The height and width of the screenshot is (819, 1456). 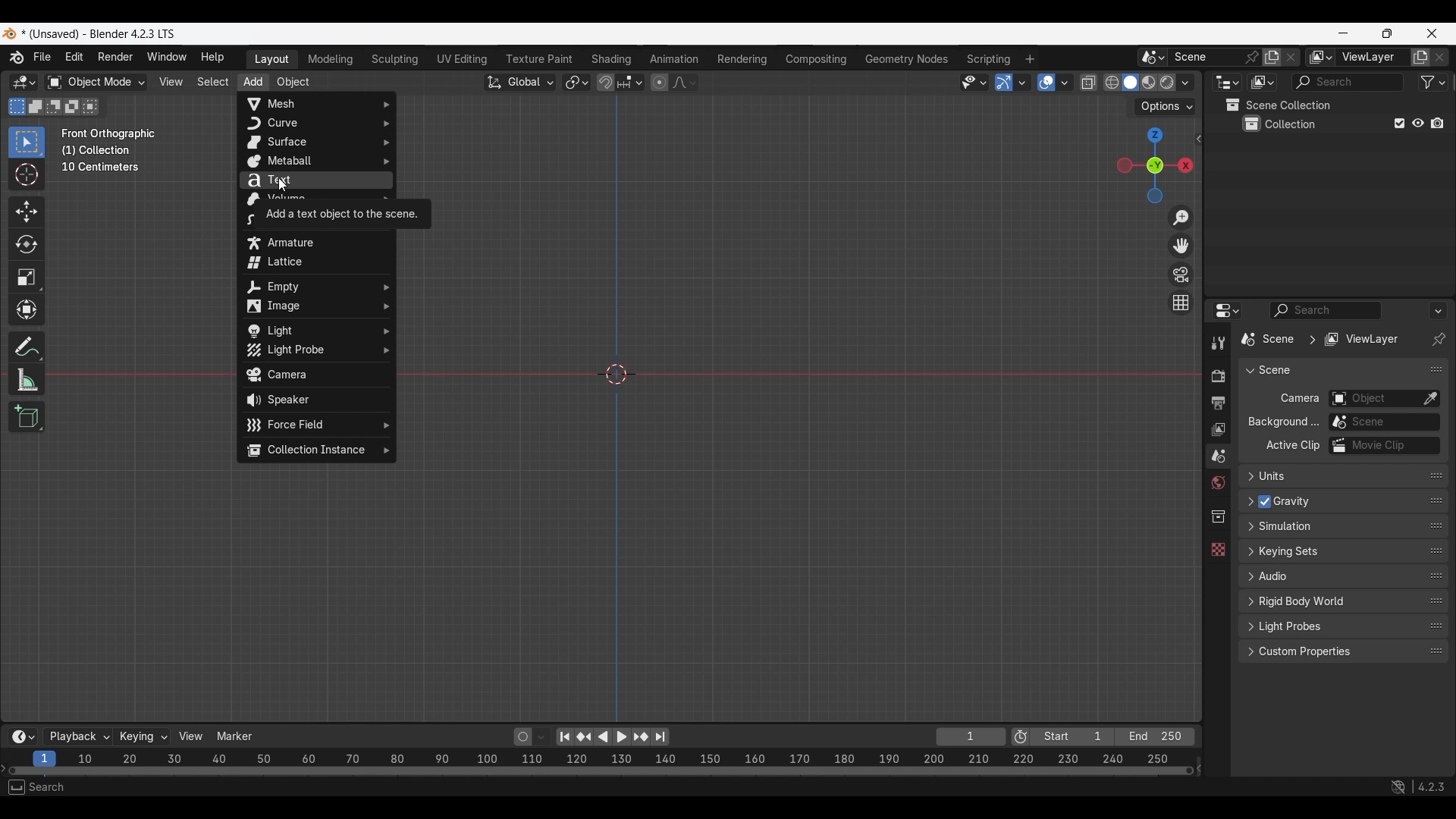 I want to click on Sculpting workspace, so click(x=397, y=59).